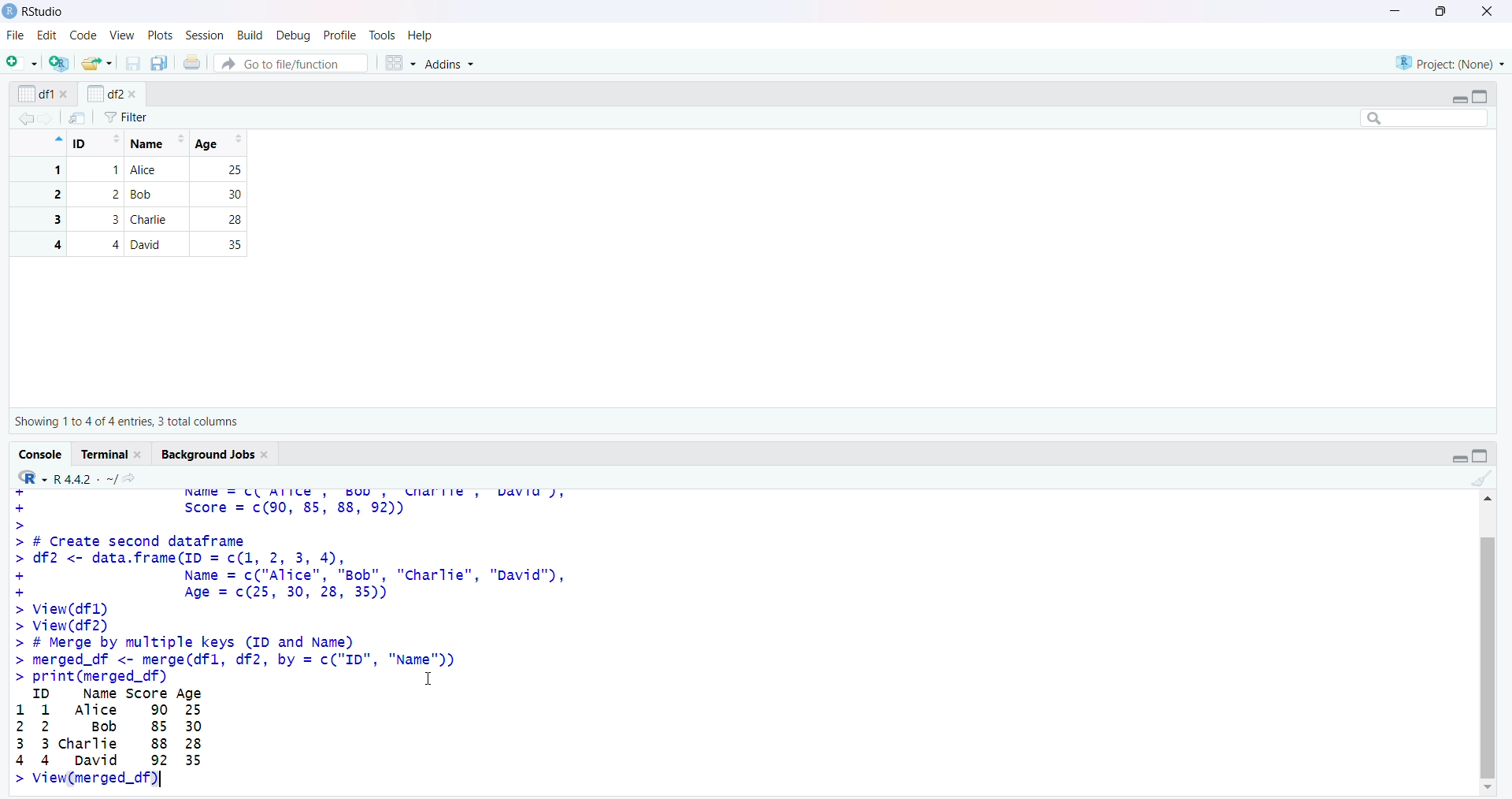  I want to click on logo, so click(11, 12).